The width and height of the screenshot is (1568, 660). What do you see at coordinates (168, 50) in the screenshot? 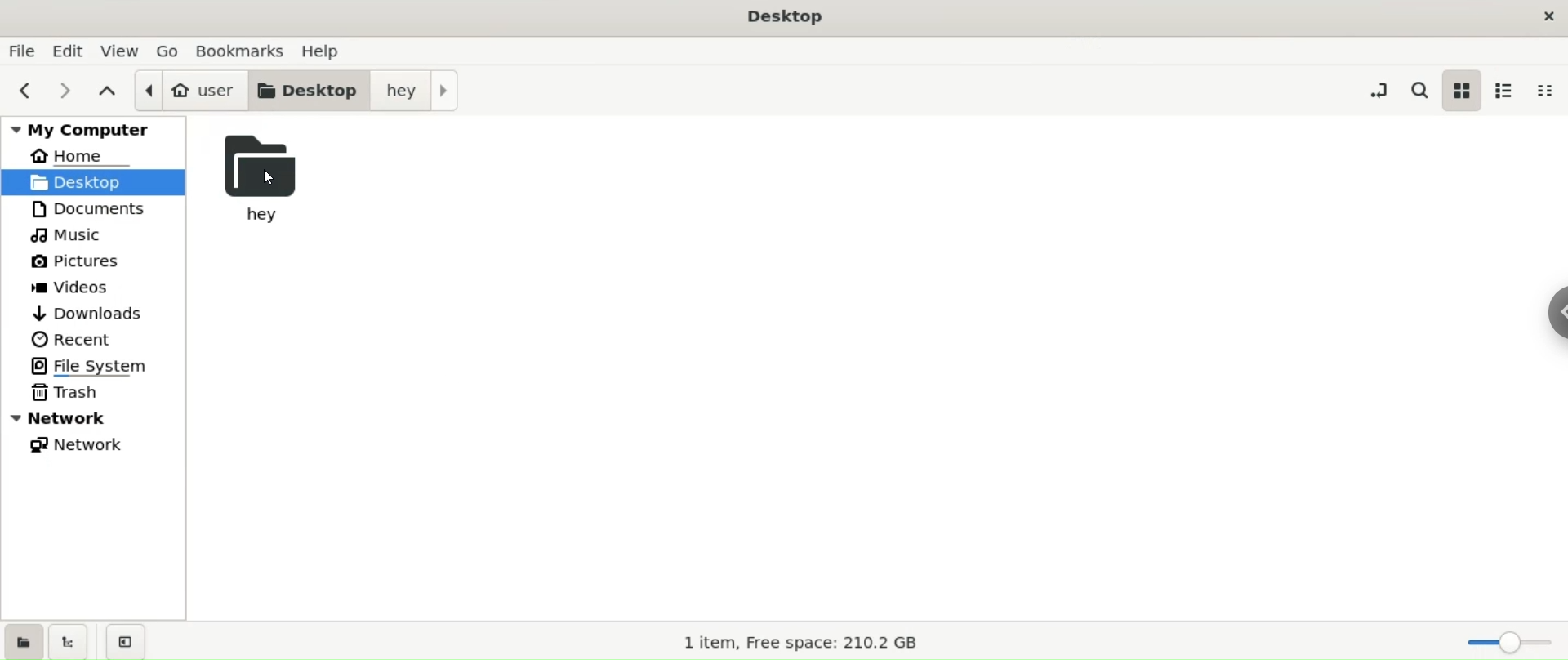
I see `go` at bounding box center [168, 50].